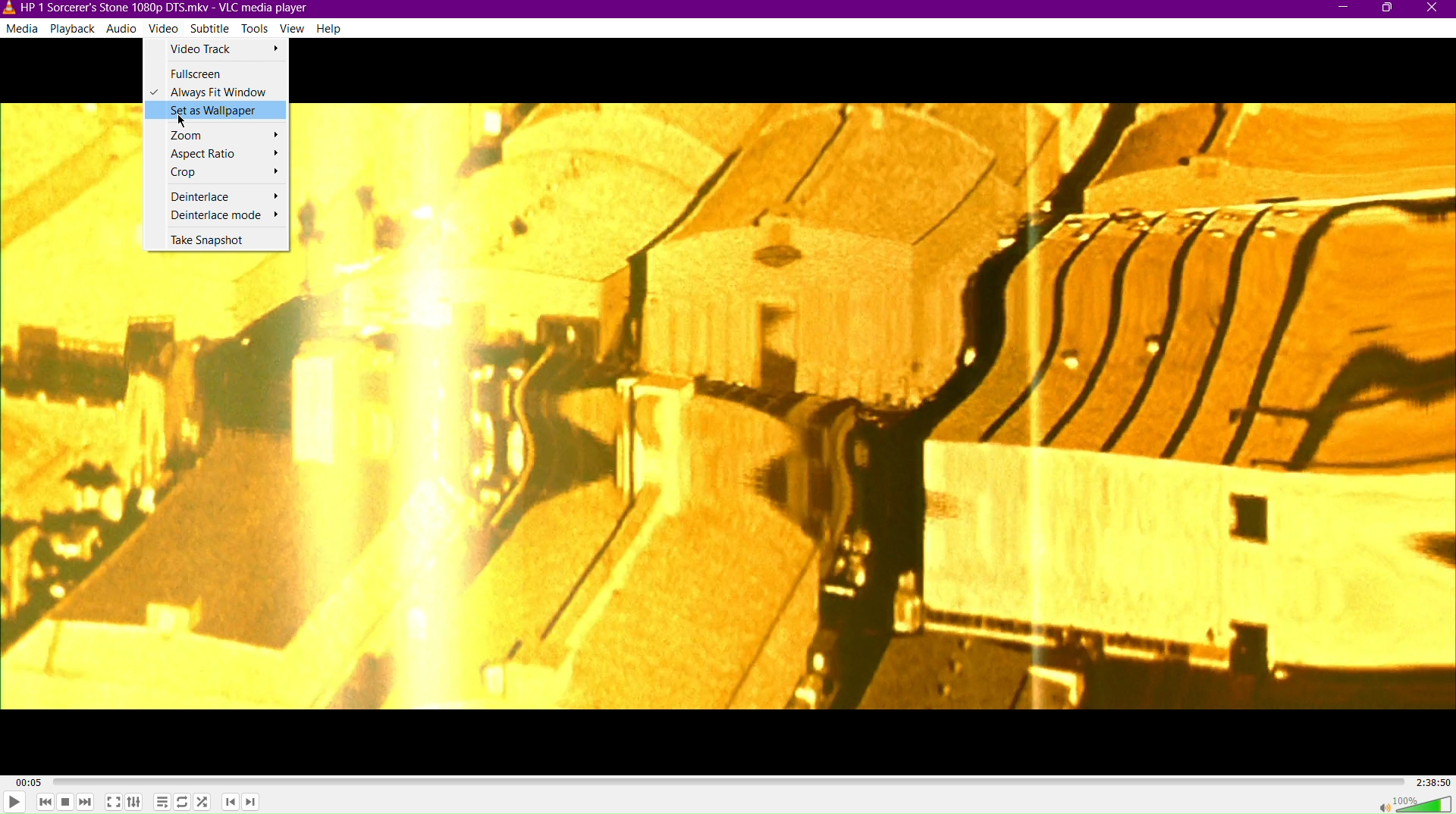 The image size is (1456, 814). Describe the element at coordinates (1343, 10) in the screenshot. I see `Minimize` at that location.